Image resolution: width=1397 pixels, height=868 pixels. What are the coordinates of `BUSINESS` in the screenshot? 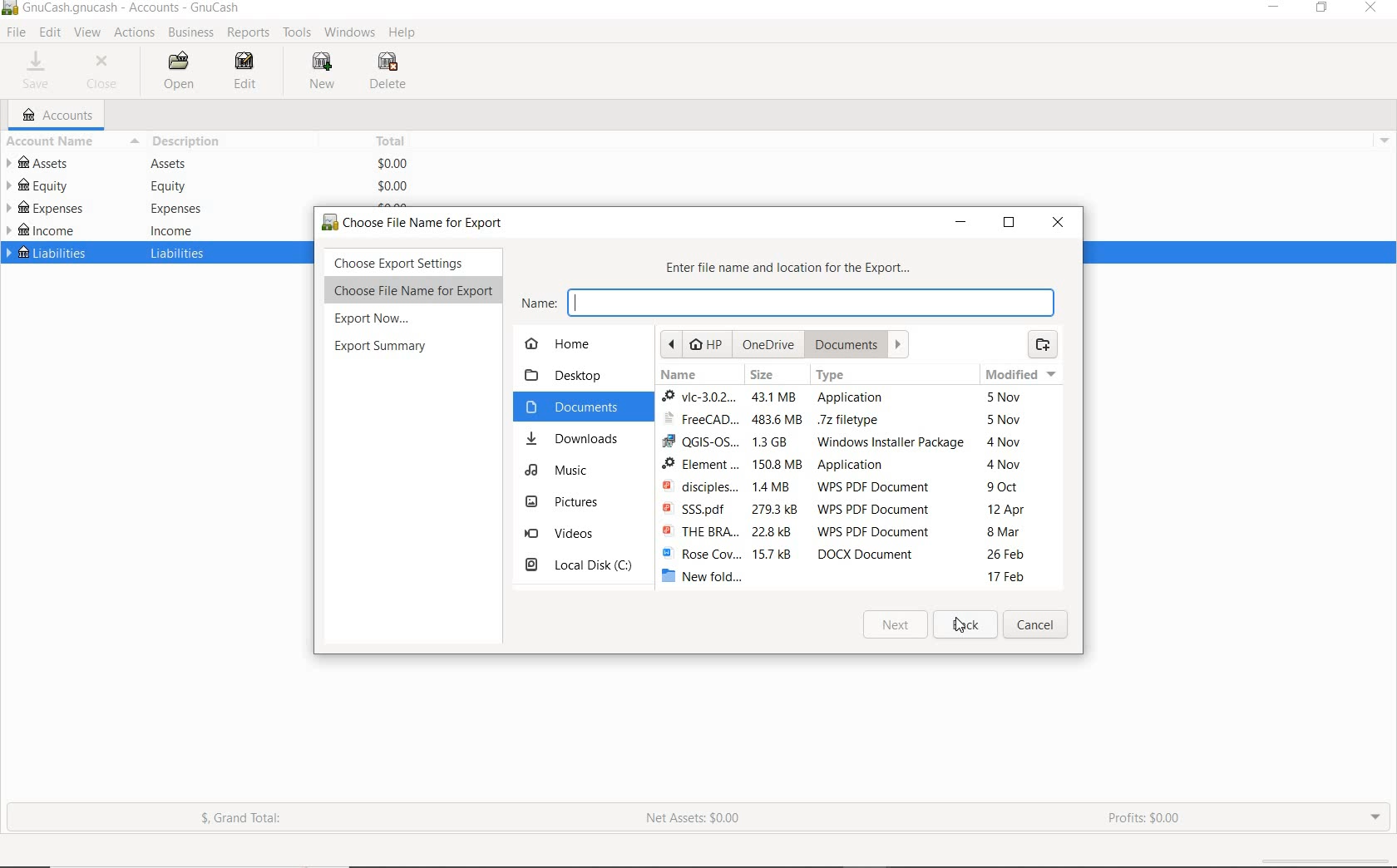 It's located at (190, 33).